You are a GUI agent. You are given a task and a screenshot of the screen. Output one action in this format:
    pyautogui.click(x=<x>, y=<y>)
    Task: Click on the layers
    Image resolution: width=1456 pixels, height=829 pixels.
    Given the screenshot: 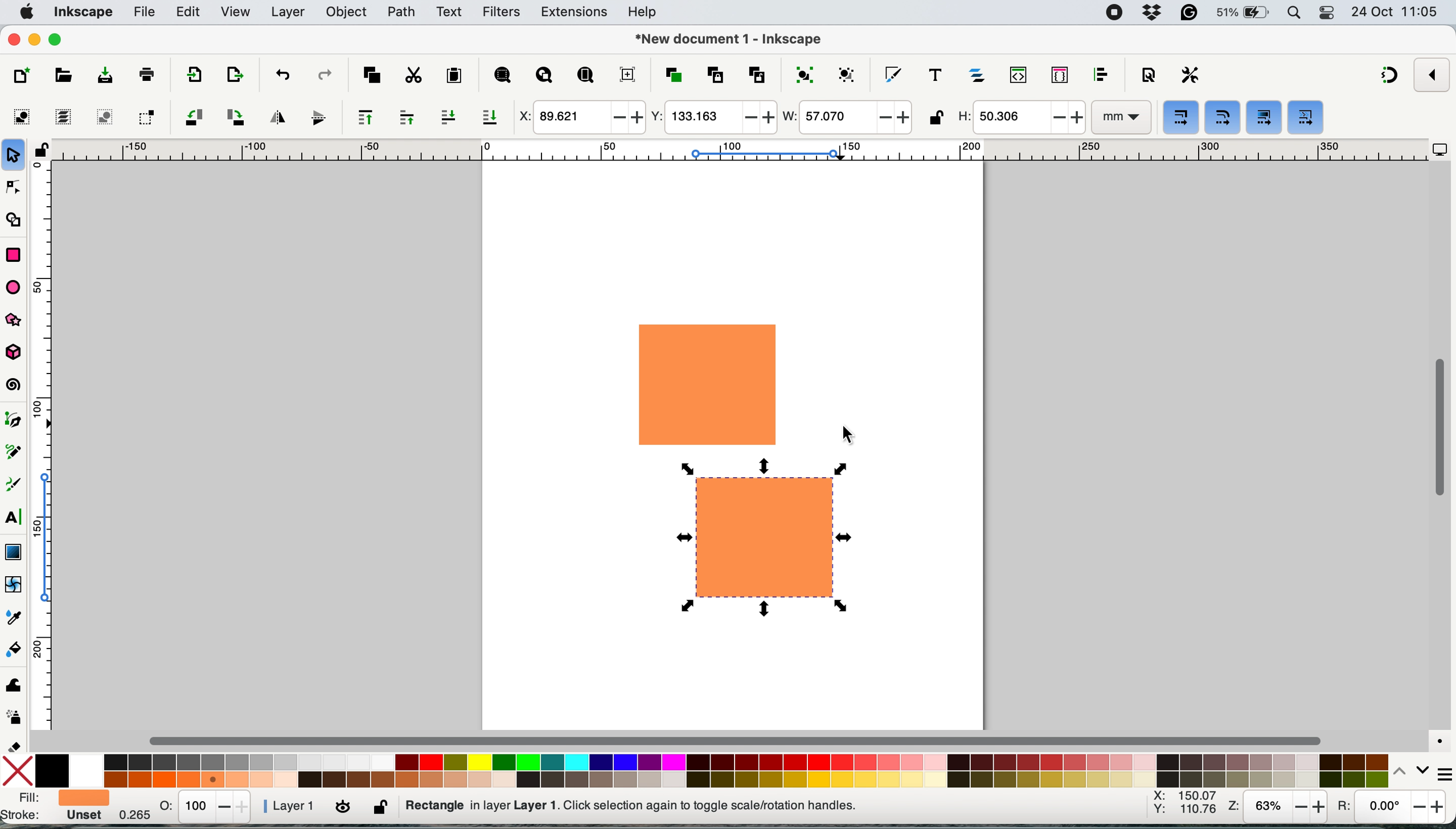 What is the action you would take?
    pyautogui.click(x=288, y=12)
    